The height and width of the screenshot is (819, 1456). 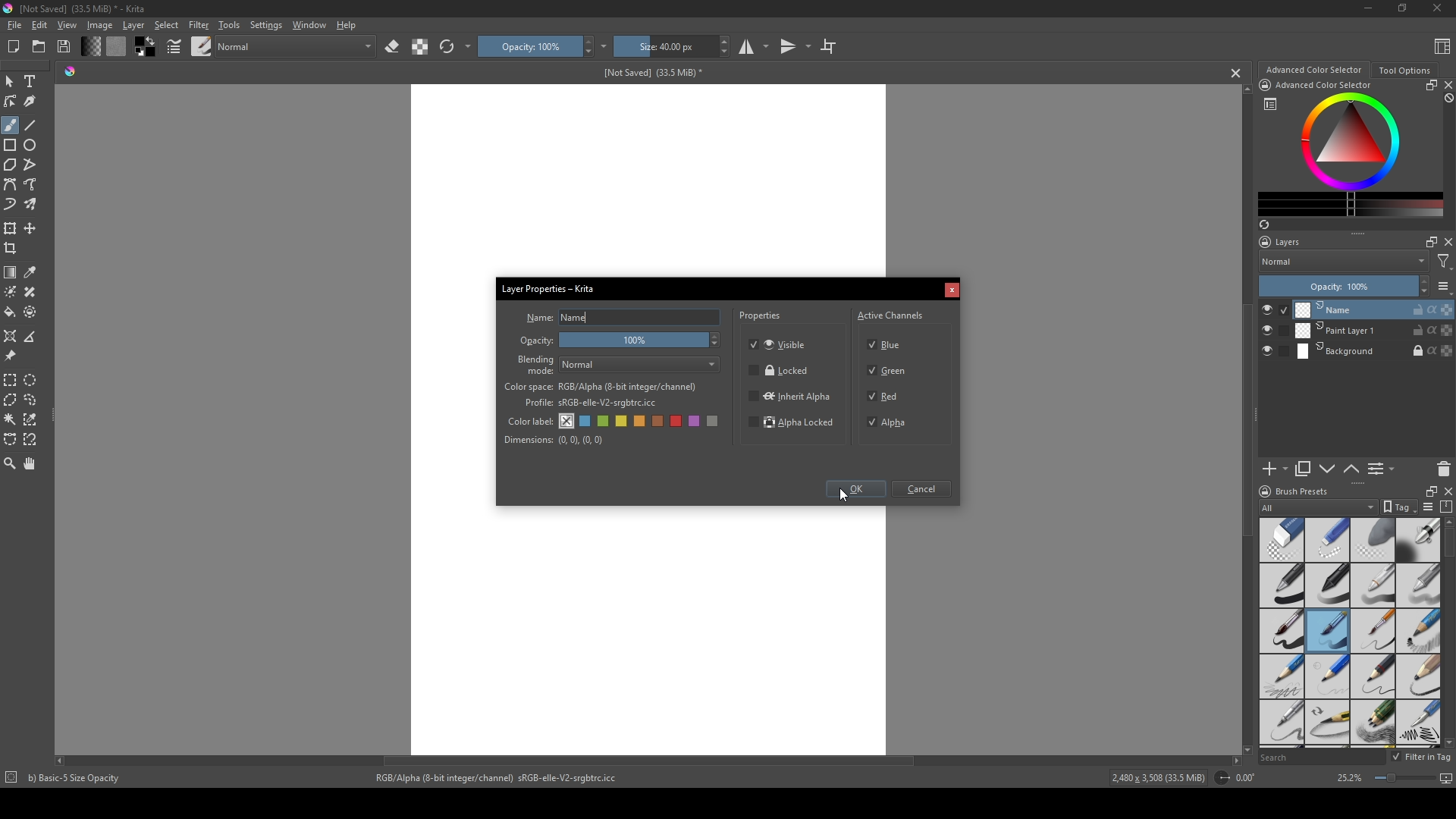 I want to click on 100%, so click(x=642, y=341).